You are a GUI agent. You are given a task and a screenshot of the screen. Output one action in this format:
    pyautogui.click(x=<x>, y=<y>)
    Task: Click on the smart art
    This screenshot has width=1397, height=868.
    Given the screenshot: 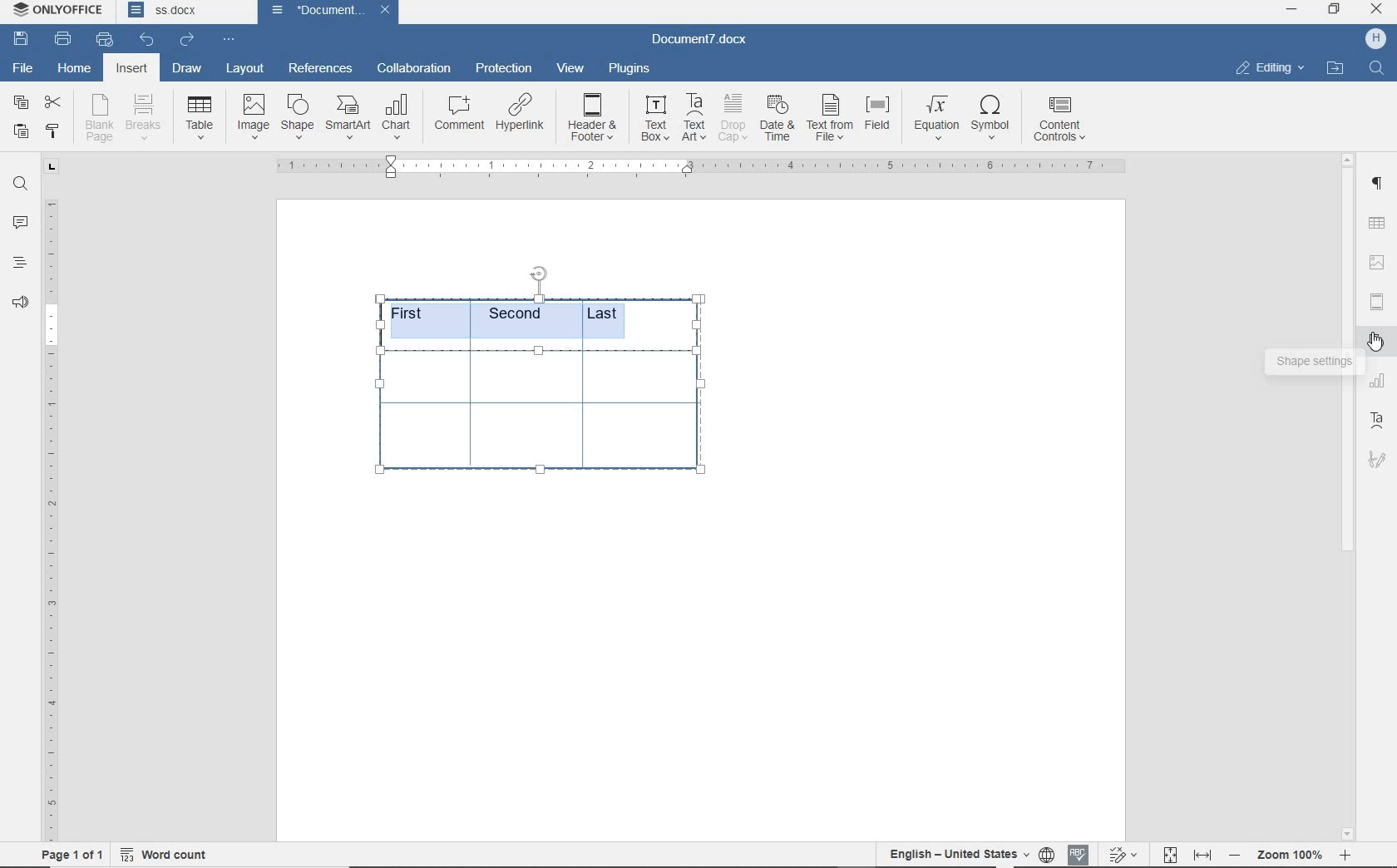 What is the action you would take?
    pyautogui.click(x=348, y=119)
    